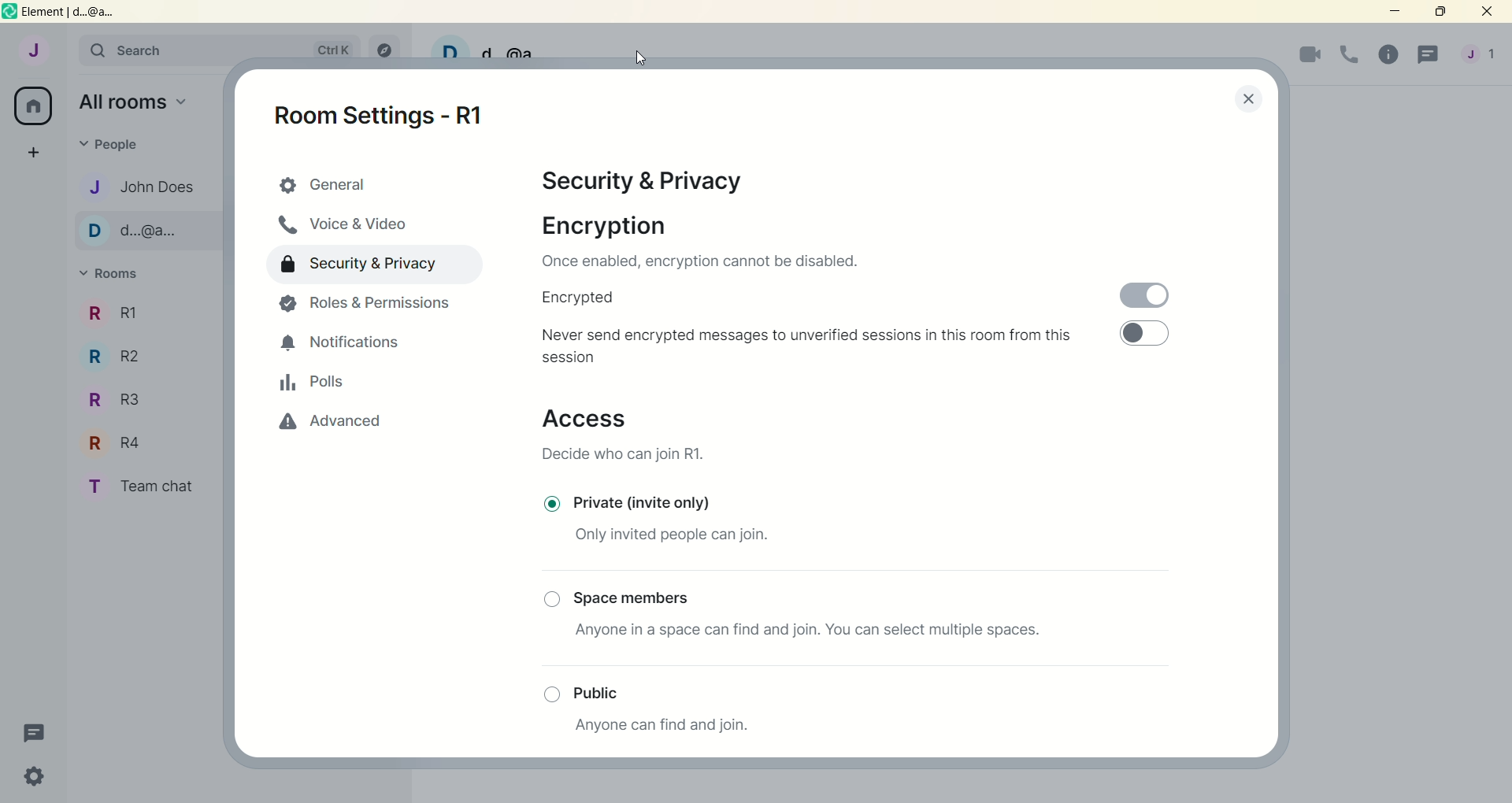 The height and width of the screenshot is (803, 1512). What do you see at coordinates (1348, 57) in the screenshot?
I see `voice call` at bounding box center [1348, 57].